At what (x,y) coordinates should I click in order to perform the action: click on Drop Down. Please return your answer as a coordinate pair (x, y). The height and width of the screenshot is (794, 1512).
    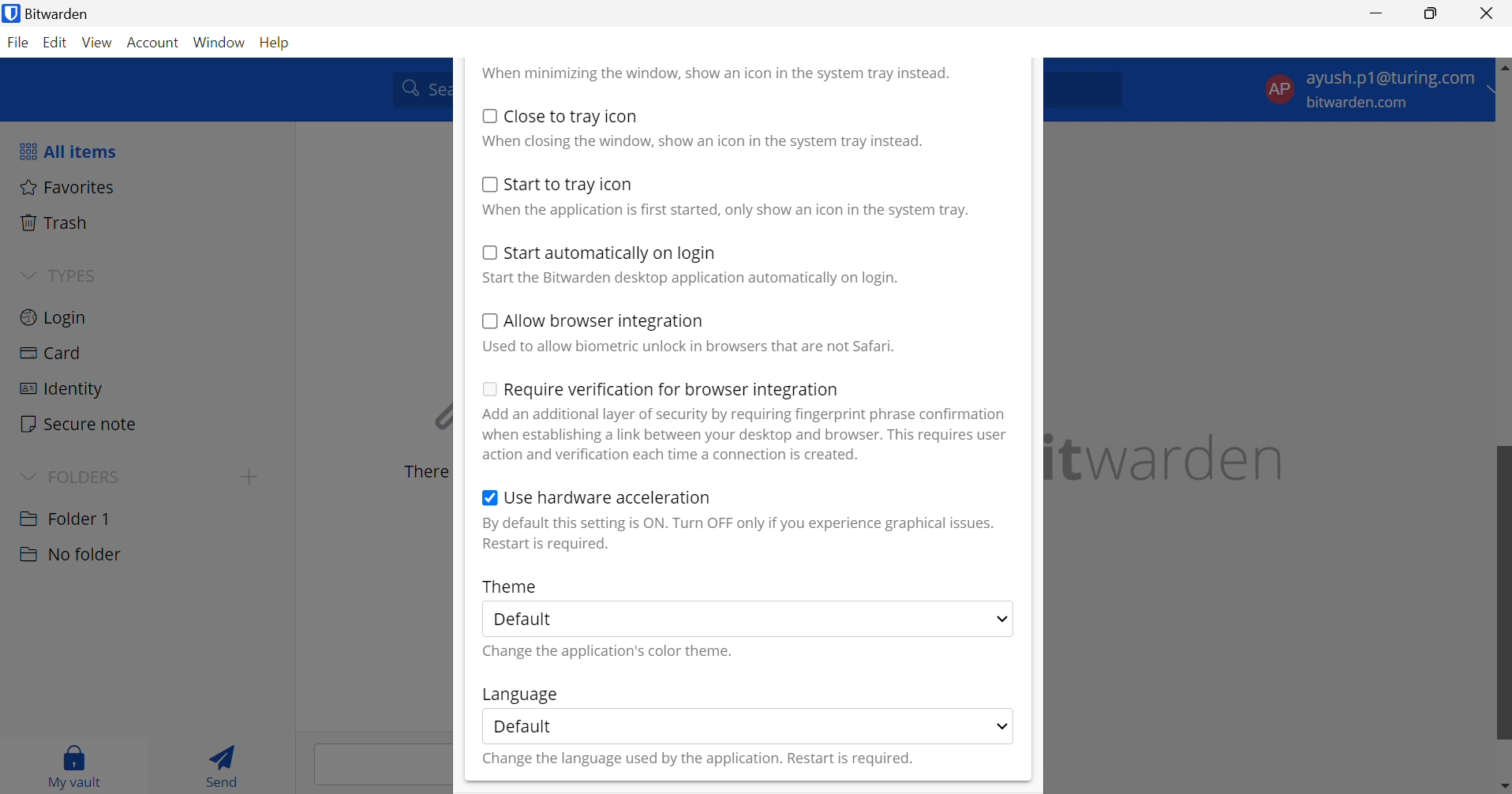
    Looking at the image, I should click on (1003, 725).